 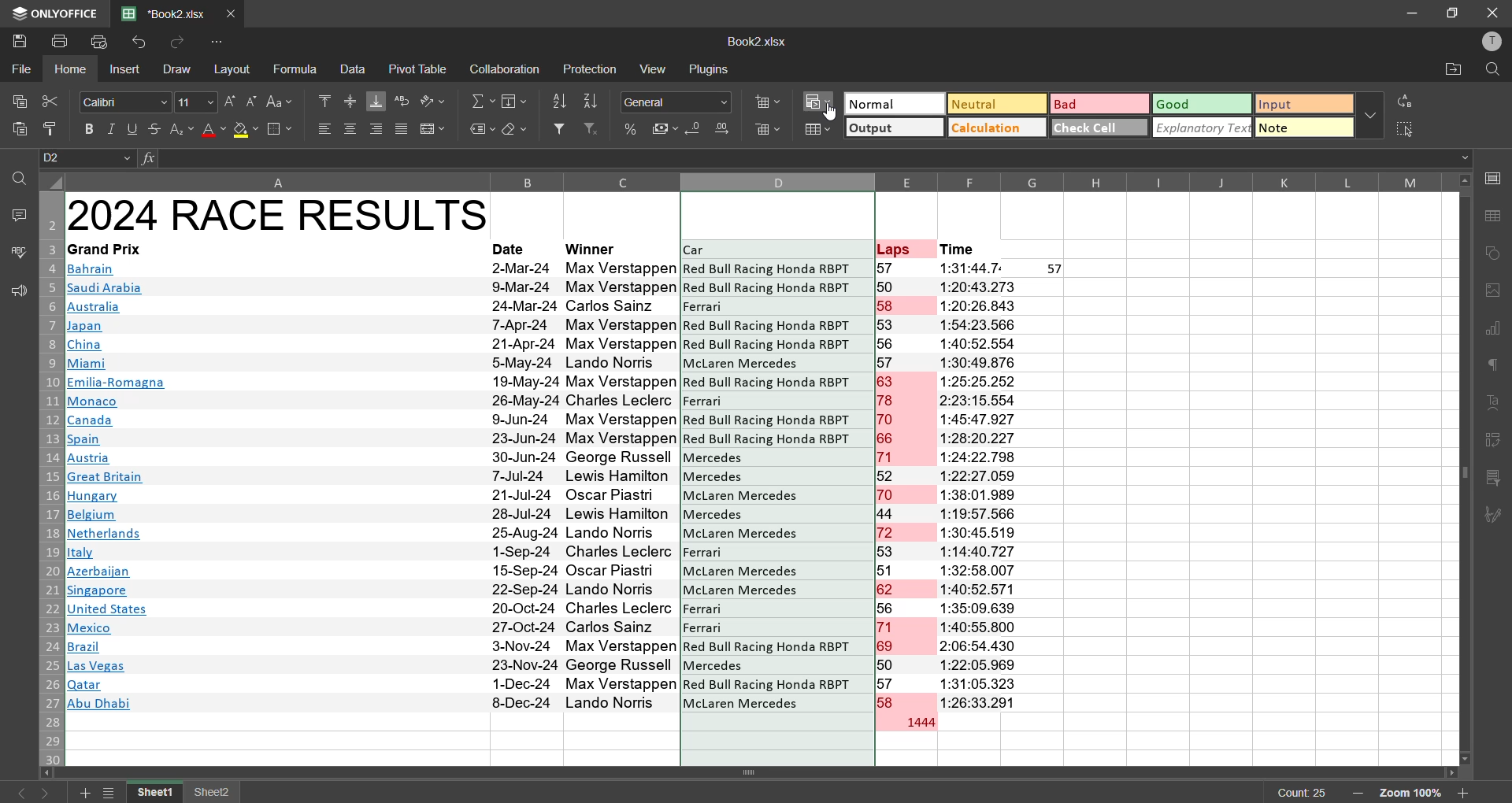 What do you see at coordinates (982, 485) in the screenshot?
I see `time` at bounding box center [982, 485].